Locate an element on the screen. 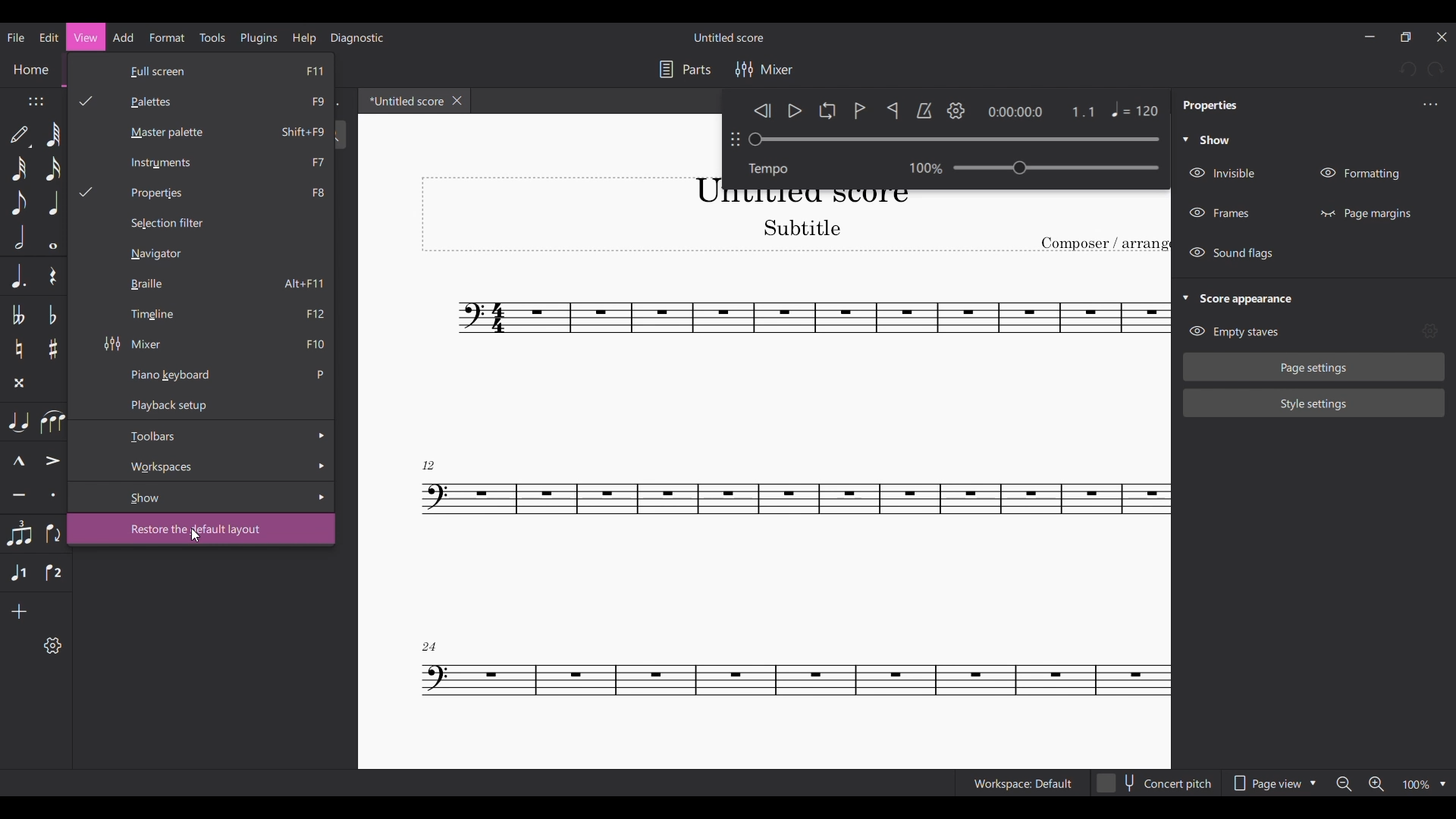  palettes   F9 is located at coordinates (205, 102).